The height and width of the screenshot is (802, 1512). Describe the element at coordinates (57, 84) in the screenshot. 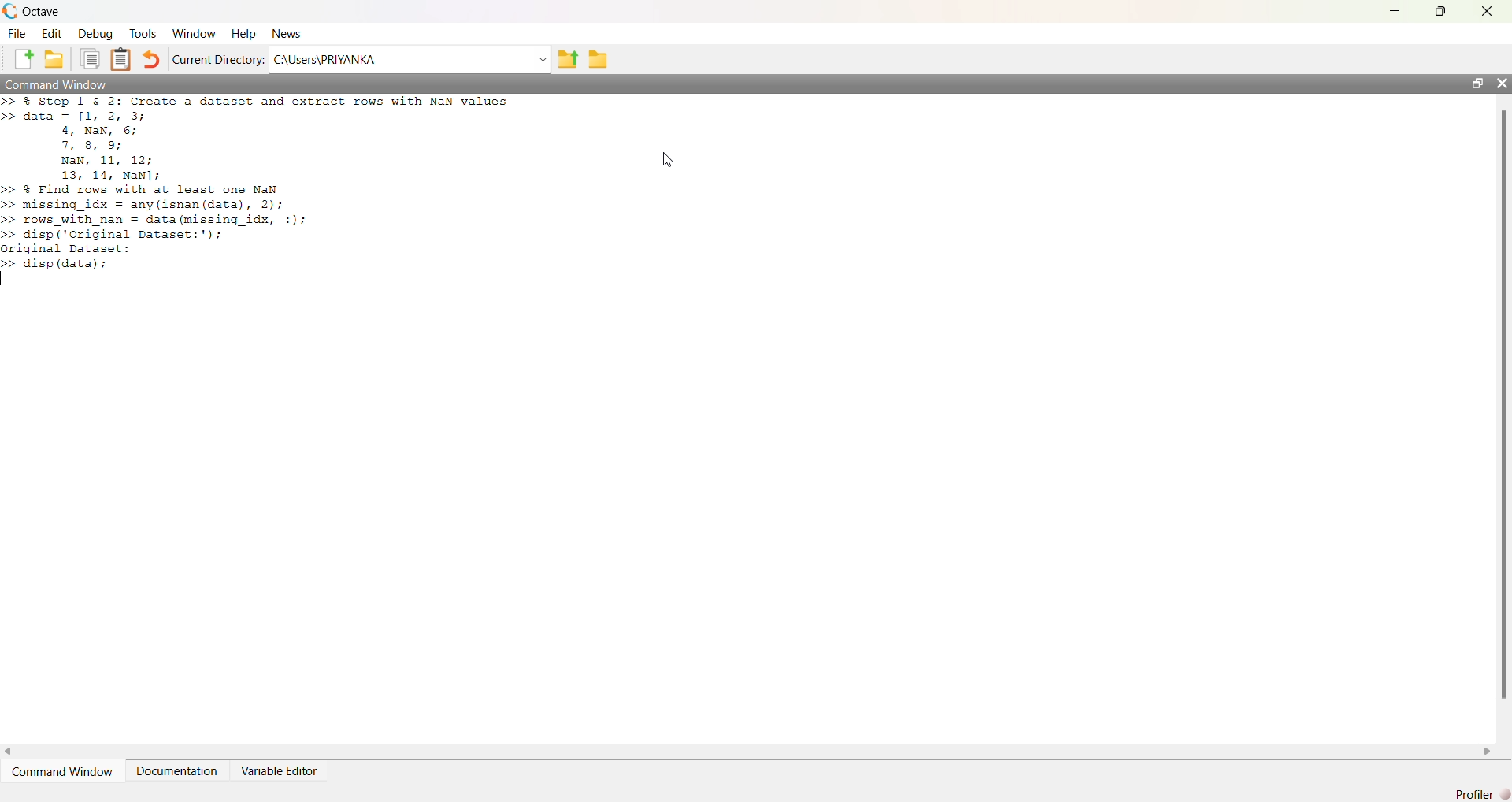

I see `Command Window` at that location.